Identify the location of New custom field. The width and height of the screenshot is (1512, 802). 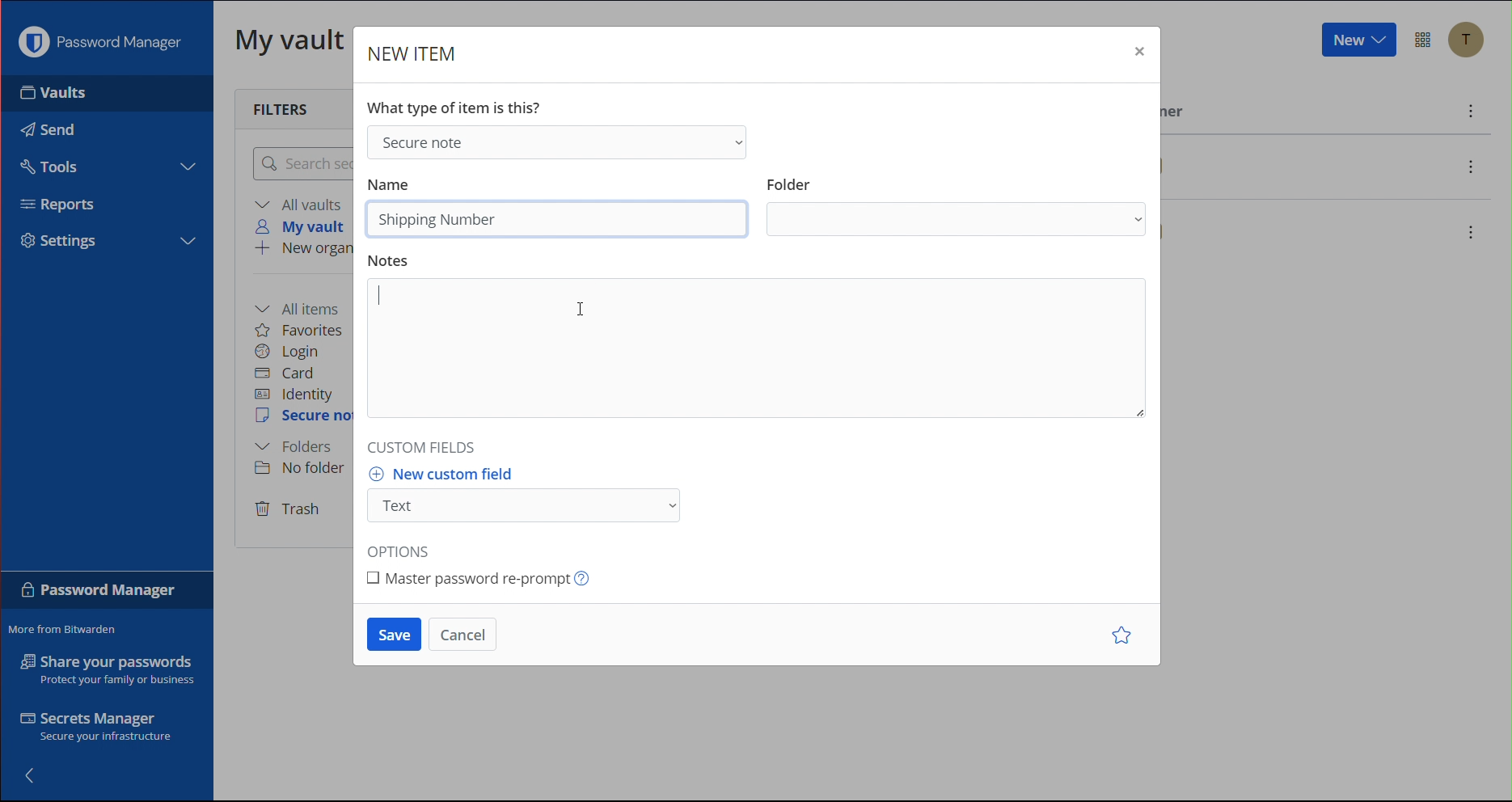
(538, 495).